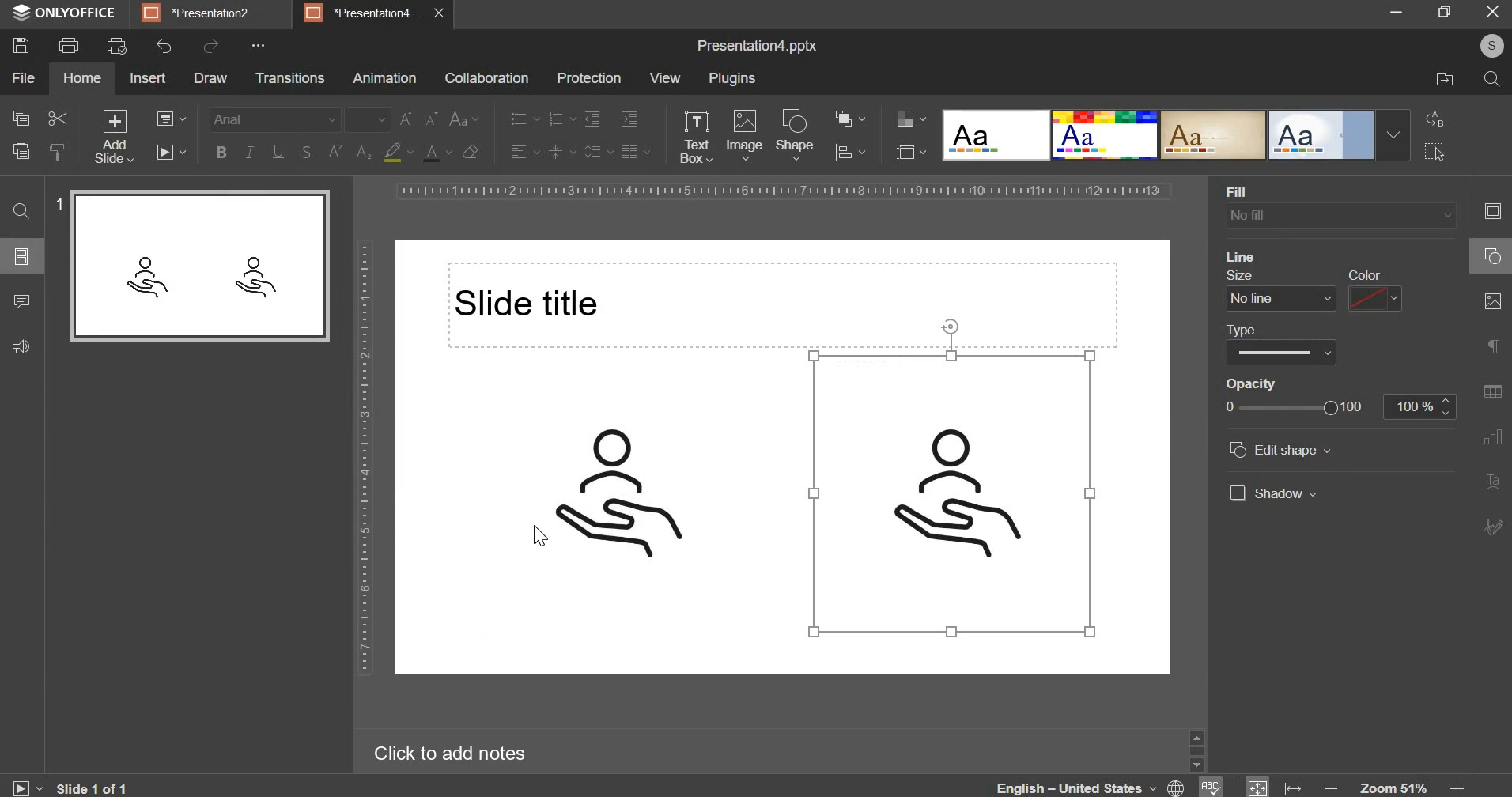  What do you see at coordinates (848, 153) in the screenshot?
I see `align object` at bounding box center [848, 153].